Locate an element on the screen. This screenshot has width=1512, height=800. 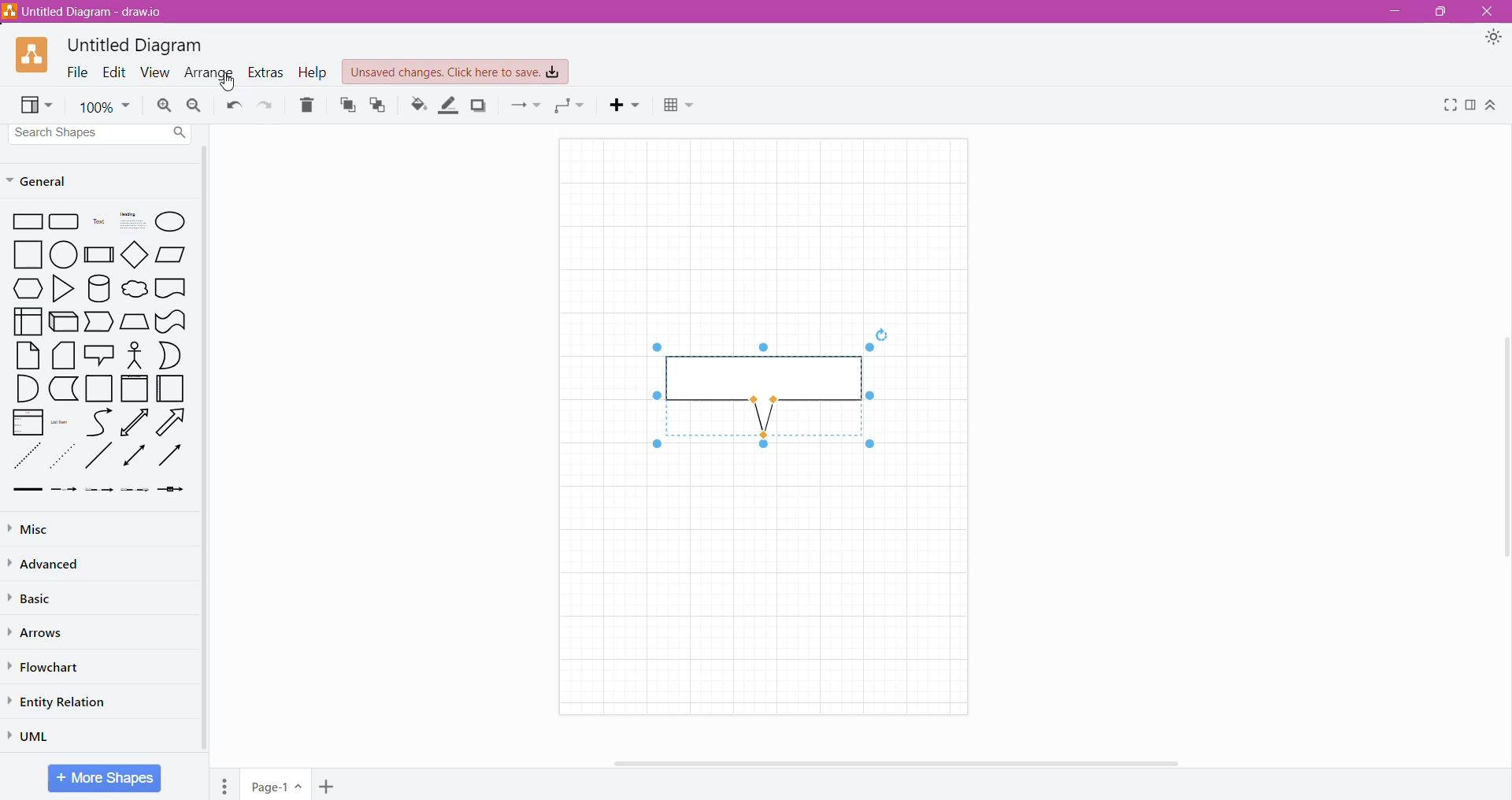
Close is located at coordinates (1489, 12).